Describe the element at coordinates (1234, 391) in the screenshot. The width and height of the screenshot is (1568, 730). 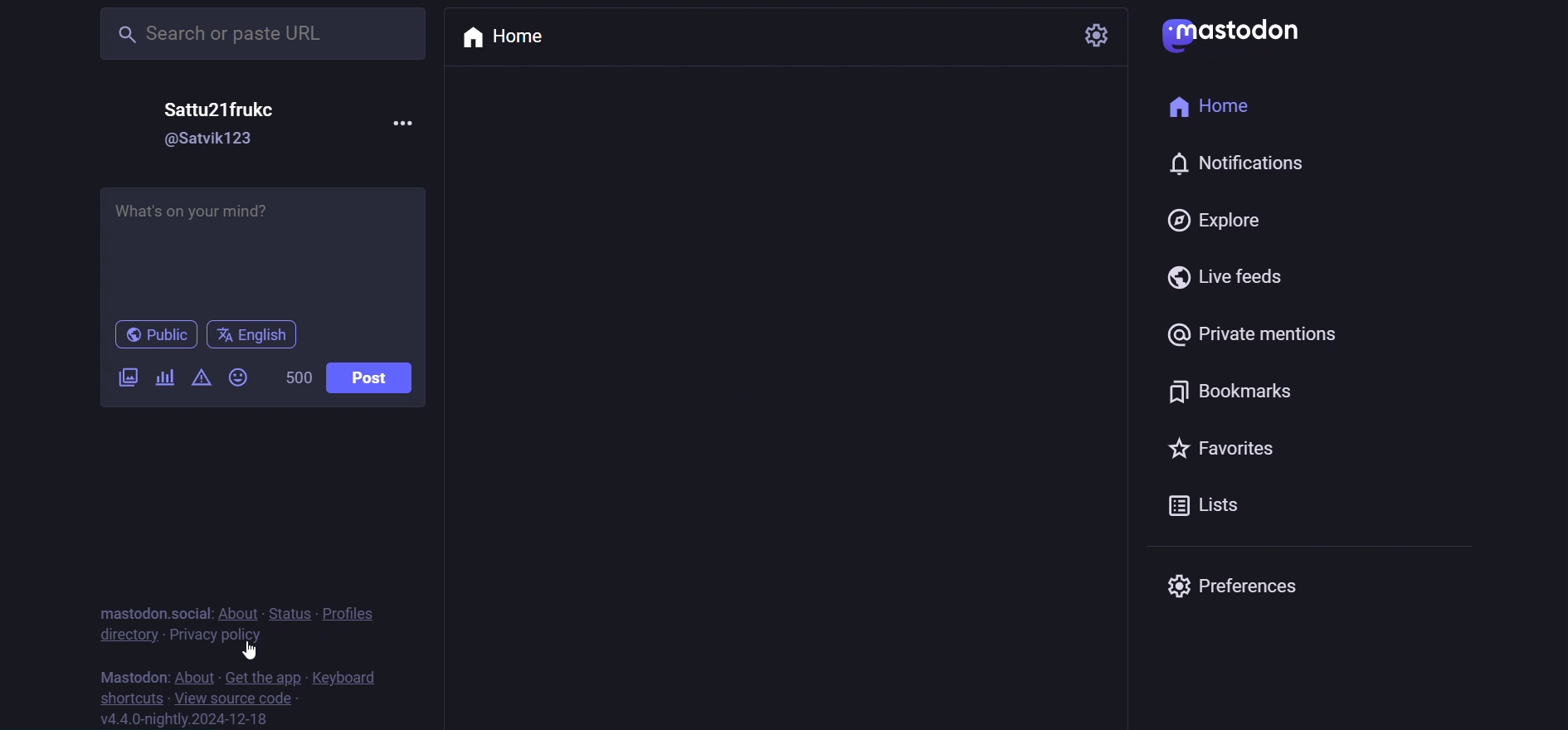
I see `bookmark` at that location.